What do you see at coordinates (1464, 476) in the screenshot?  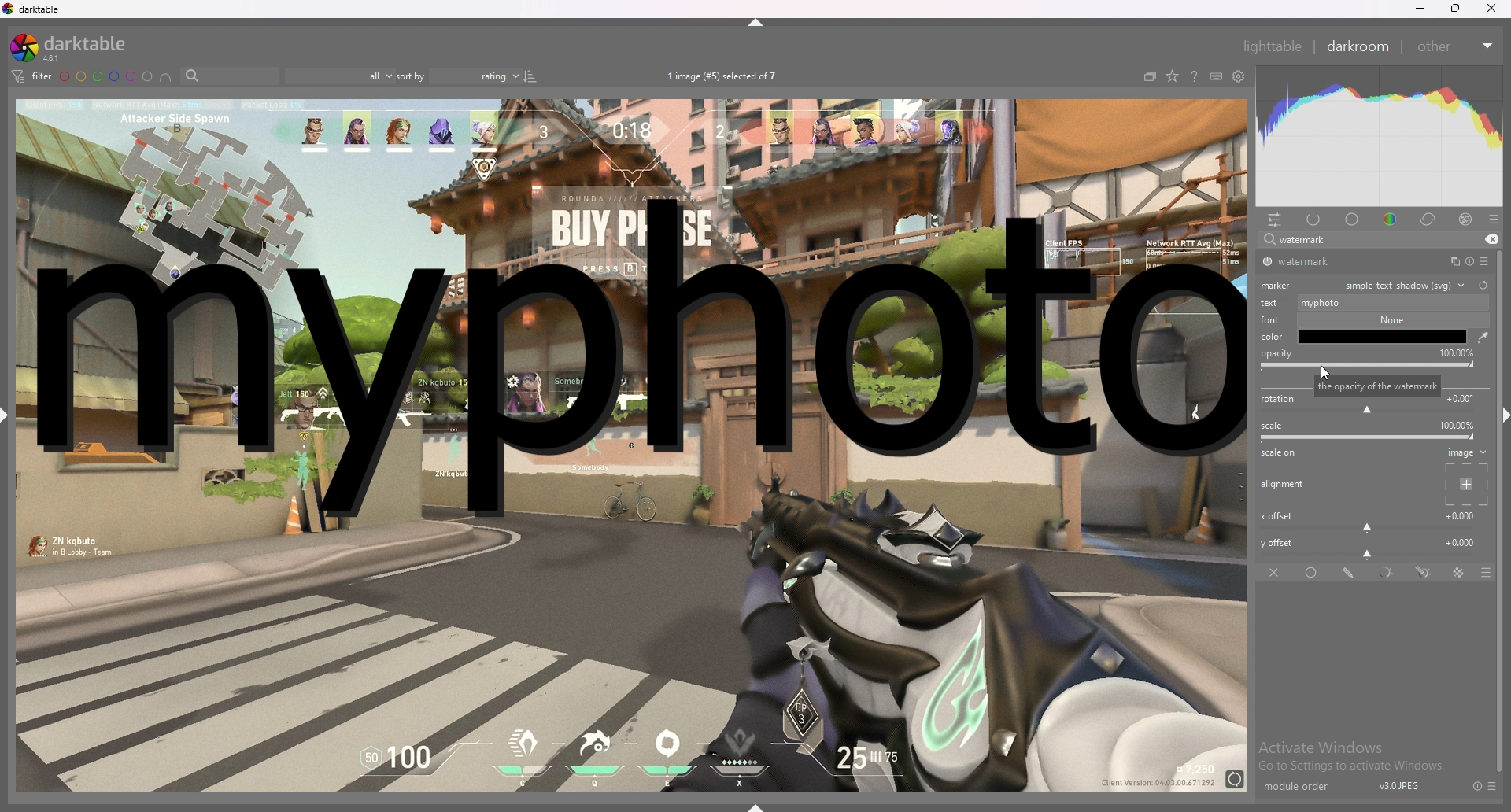 I see `image` at bounding box center [1464, 476].